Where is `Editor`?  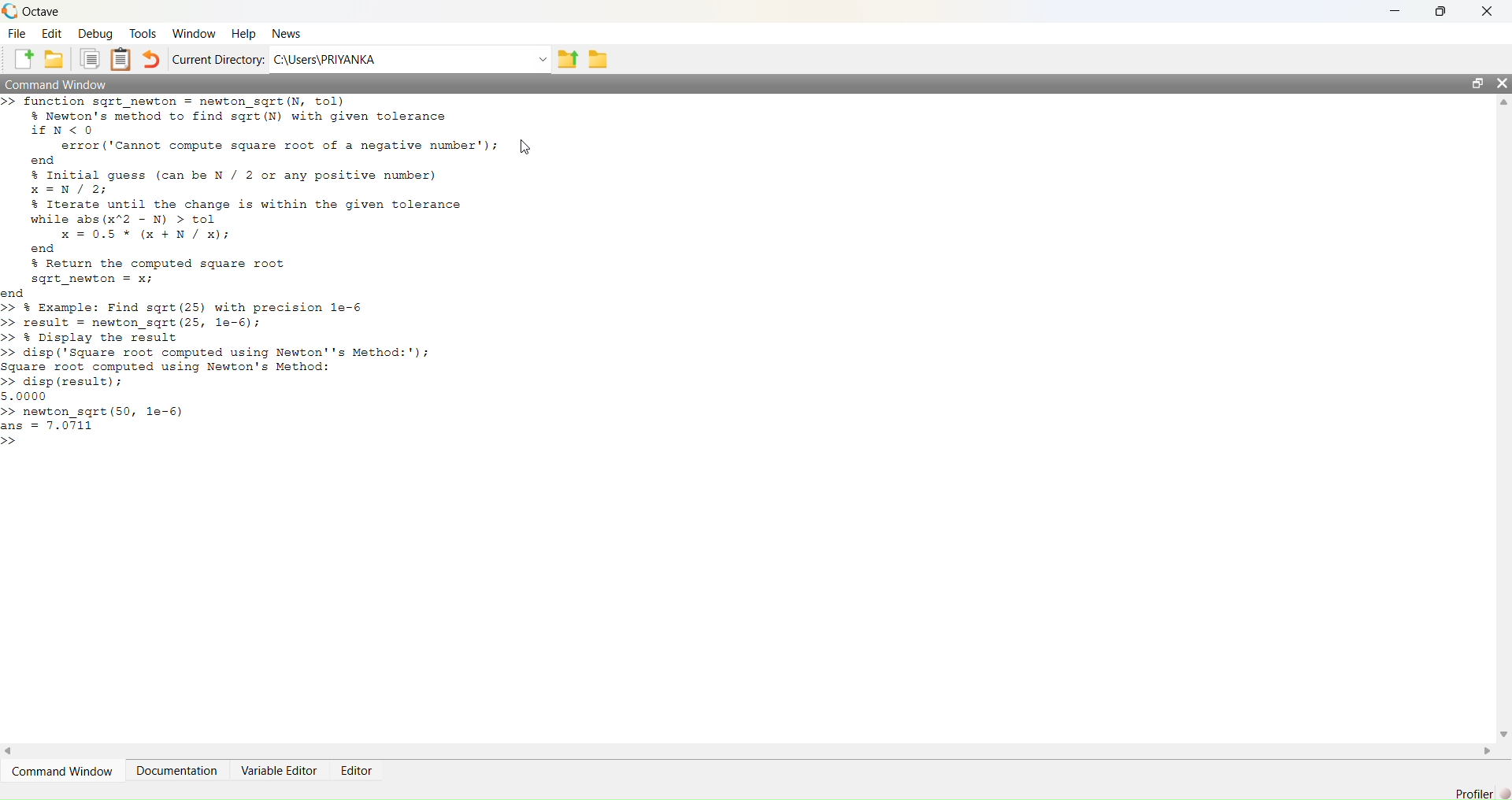
Editor is located at coordinates (354, 768).